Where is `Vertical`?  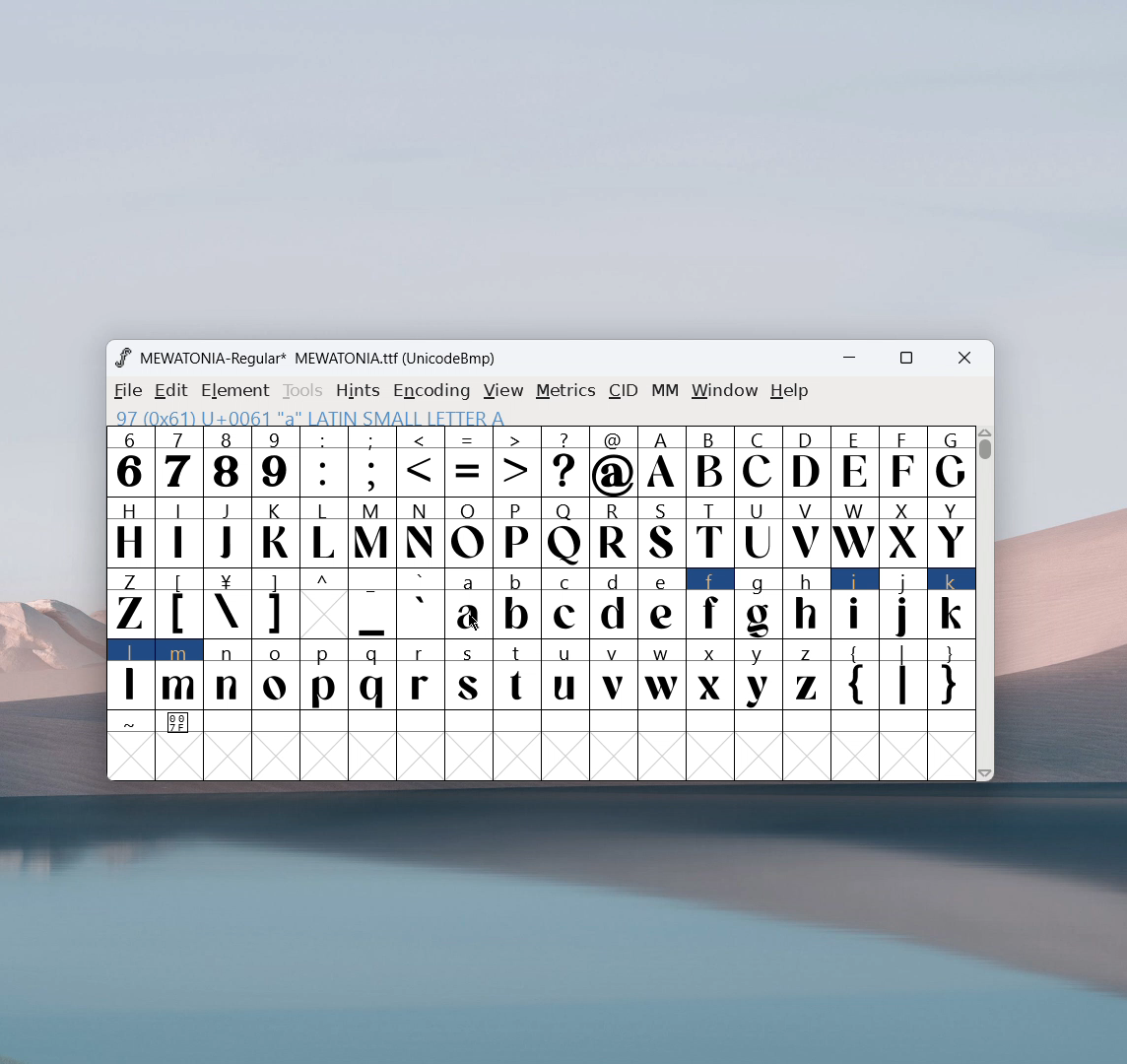 Vertical is located at coordinates (986, 601).